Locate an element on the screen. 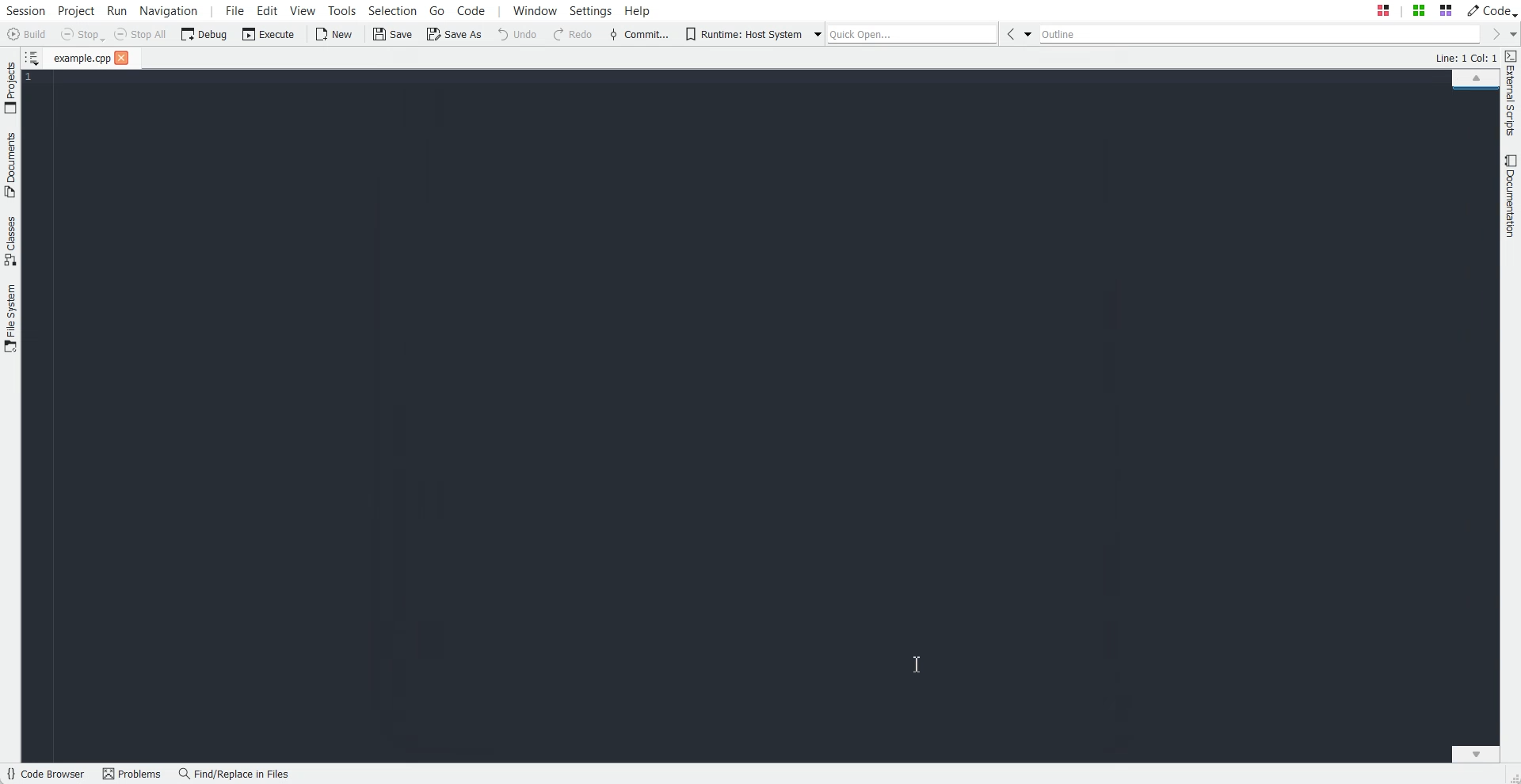 The height and width of the screenshot is (784, 1521). Redo is located at coordinates (576, 34).